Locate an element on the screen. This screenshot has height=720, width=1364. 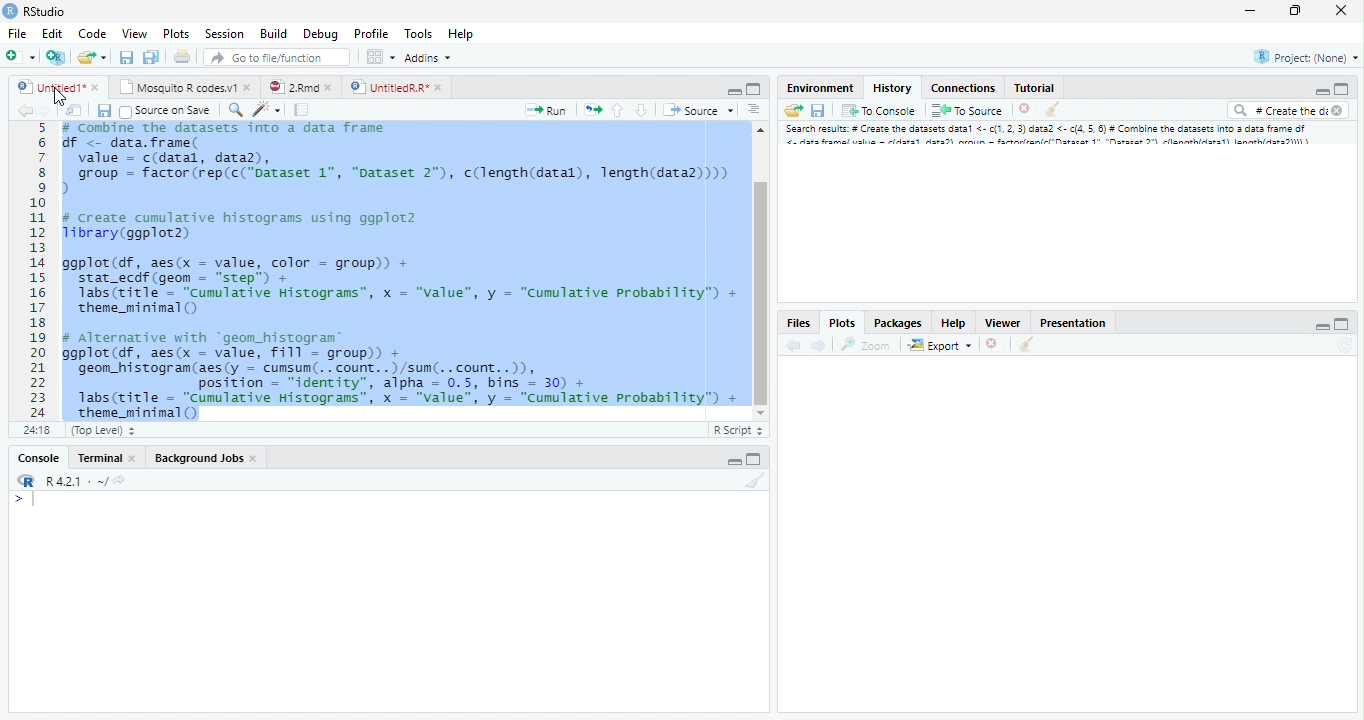
2.Rmd is located at coordinates (298, 85).